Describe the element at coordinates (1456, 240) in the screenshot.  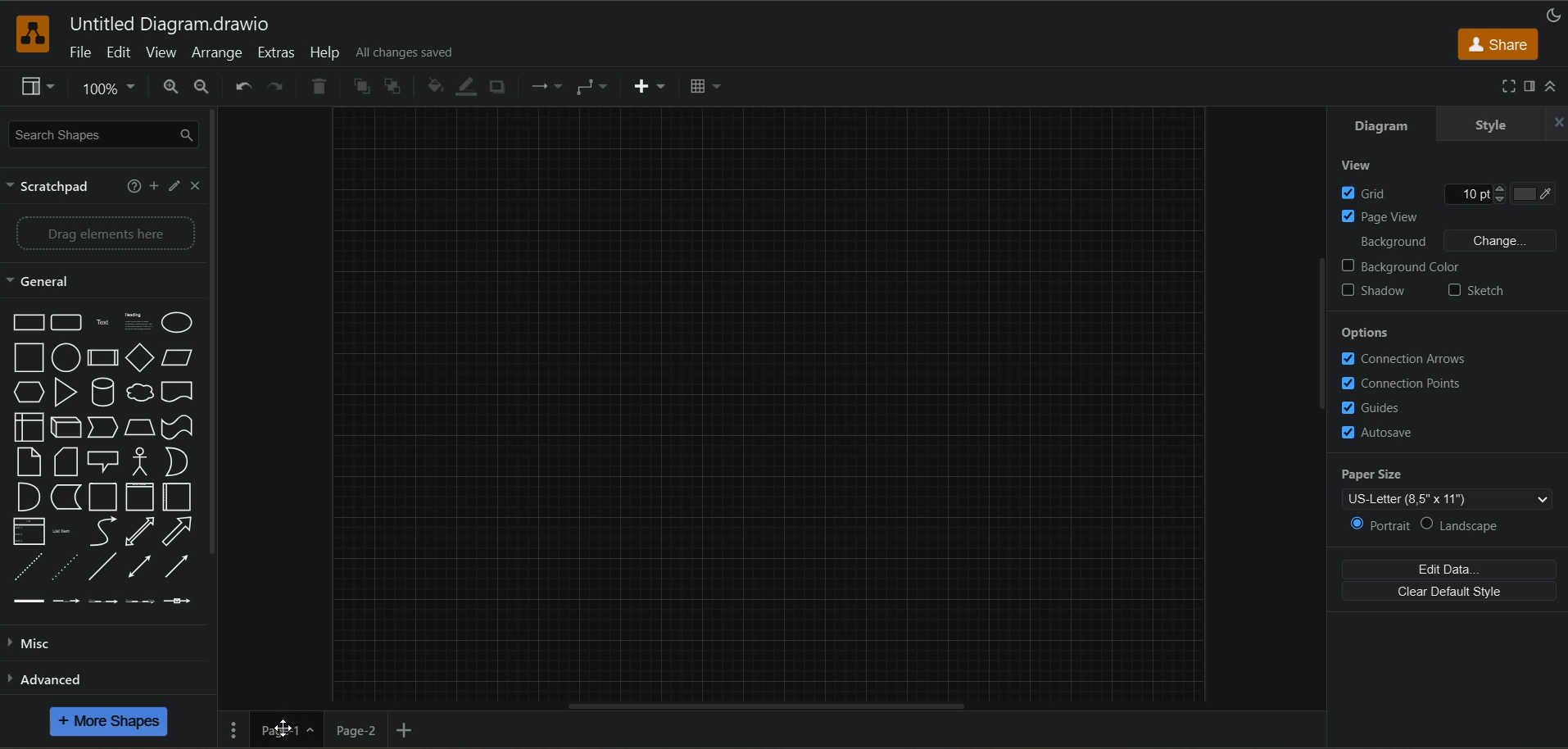
I see `background` at that location.